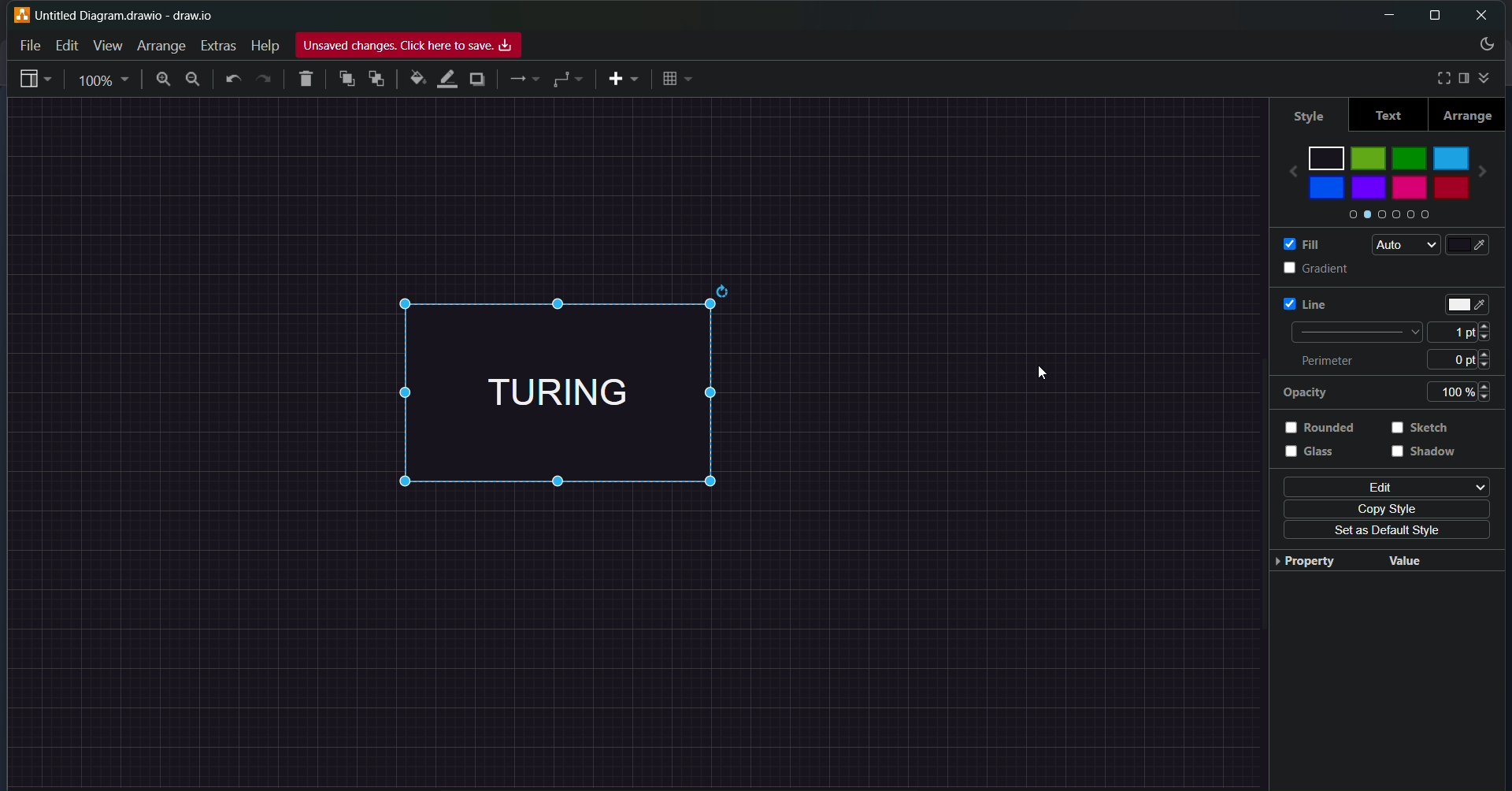 This screenshot has width=1512, height=791. I want to click on auto, so click(1401, 245).